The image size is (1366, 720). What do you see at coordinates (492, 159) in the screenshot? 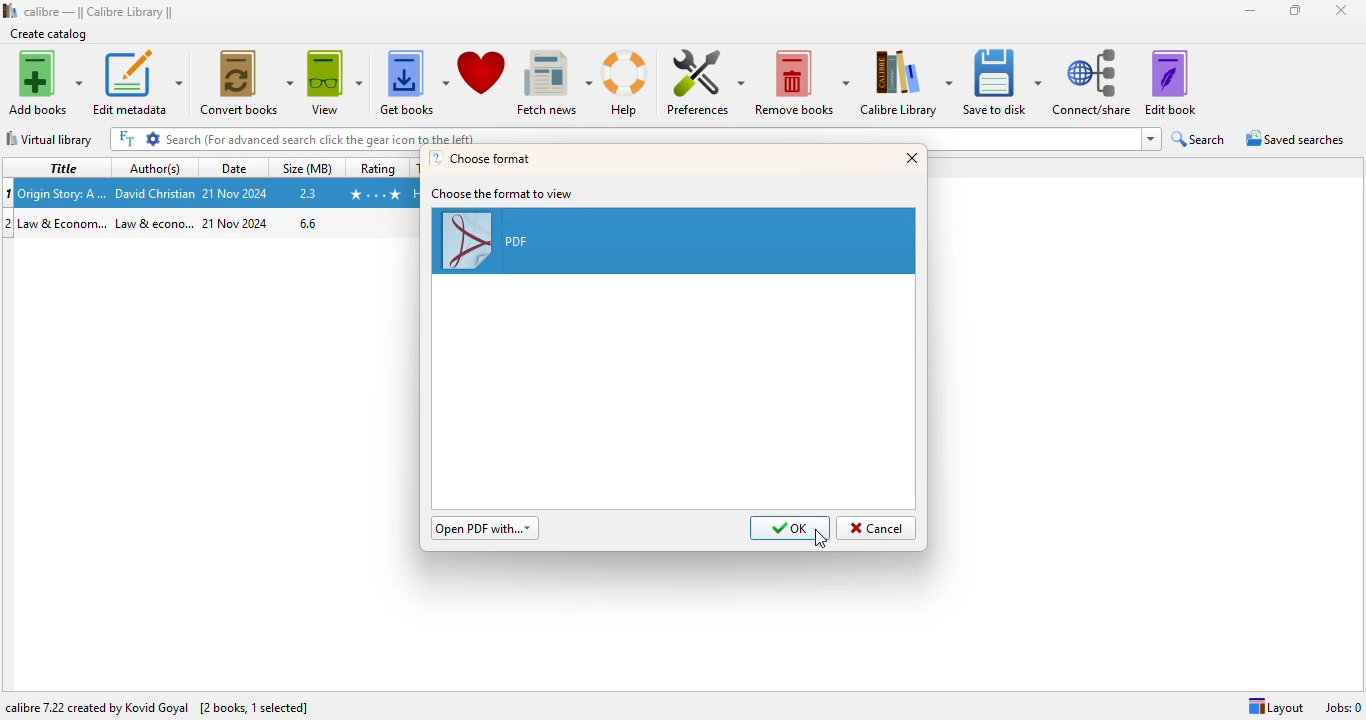
I see `choose format` at bounding box center [492, 159].